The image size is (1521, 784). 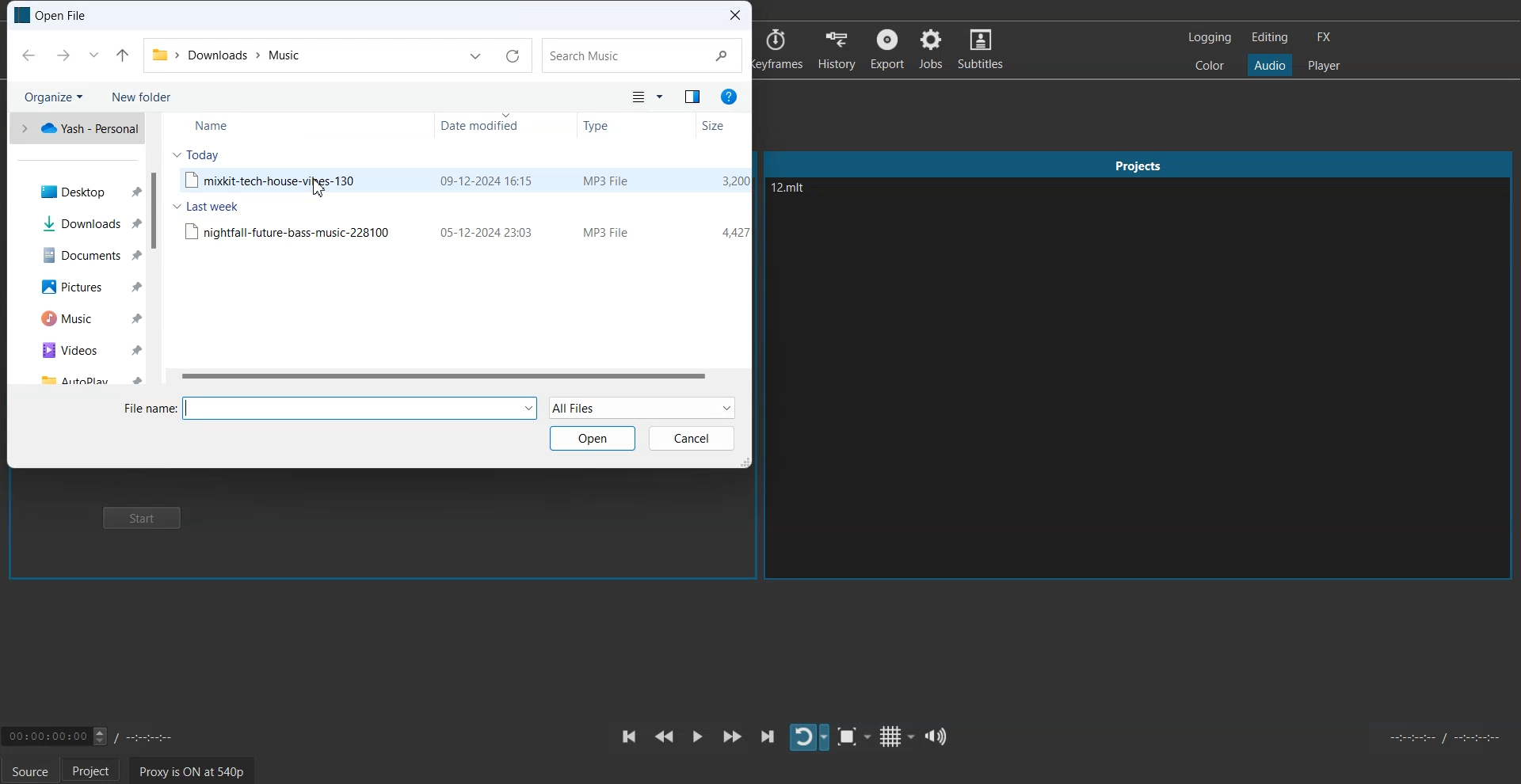 I want to click on Documents, so click(x=74, y=254).